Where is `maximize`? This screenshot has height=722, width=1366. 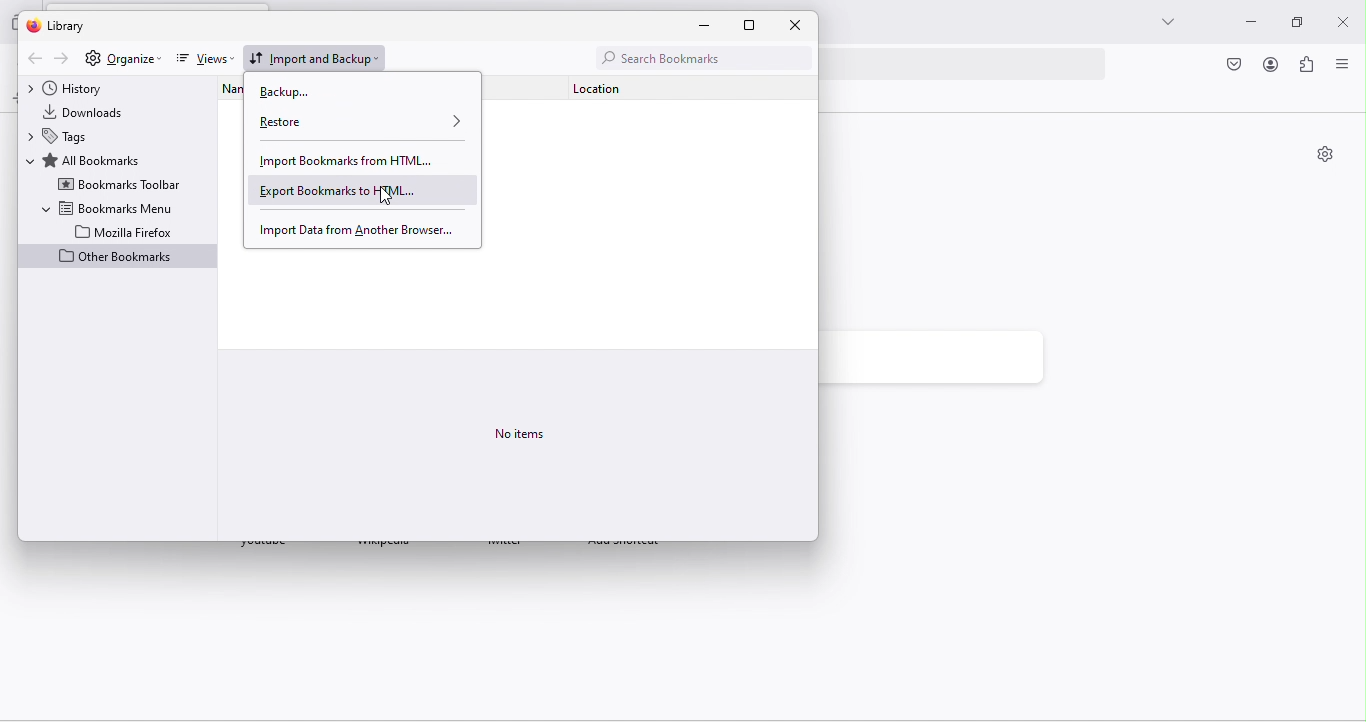 maximize is located at coordinates (759, 25).